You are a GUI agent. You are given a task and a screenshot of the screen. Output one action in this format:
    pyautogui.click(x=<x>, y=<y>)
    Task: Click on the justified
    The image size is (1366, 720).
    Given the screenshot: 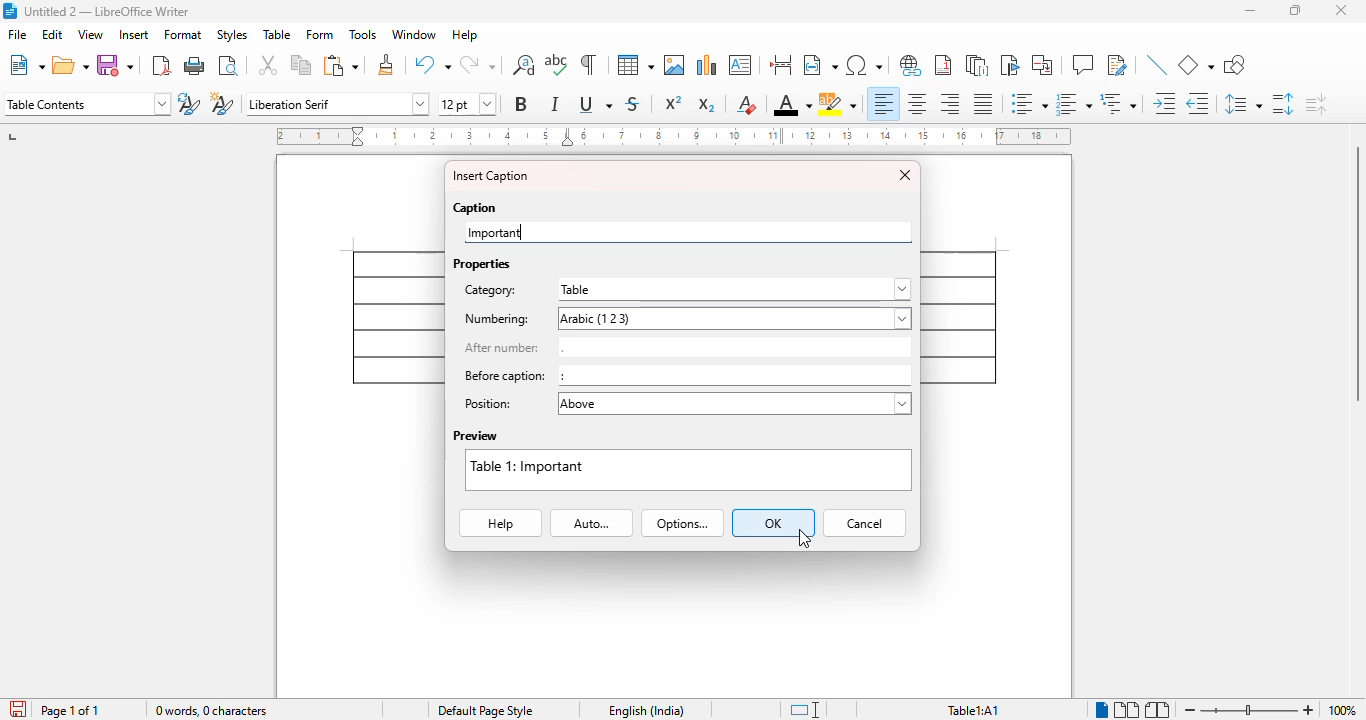 What is the action you would take?
    pyautogui.click(x=984, y=104)
    